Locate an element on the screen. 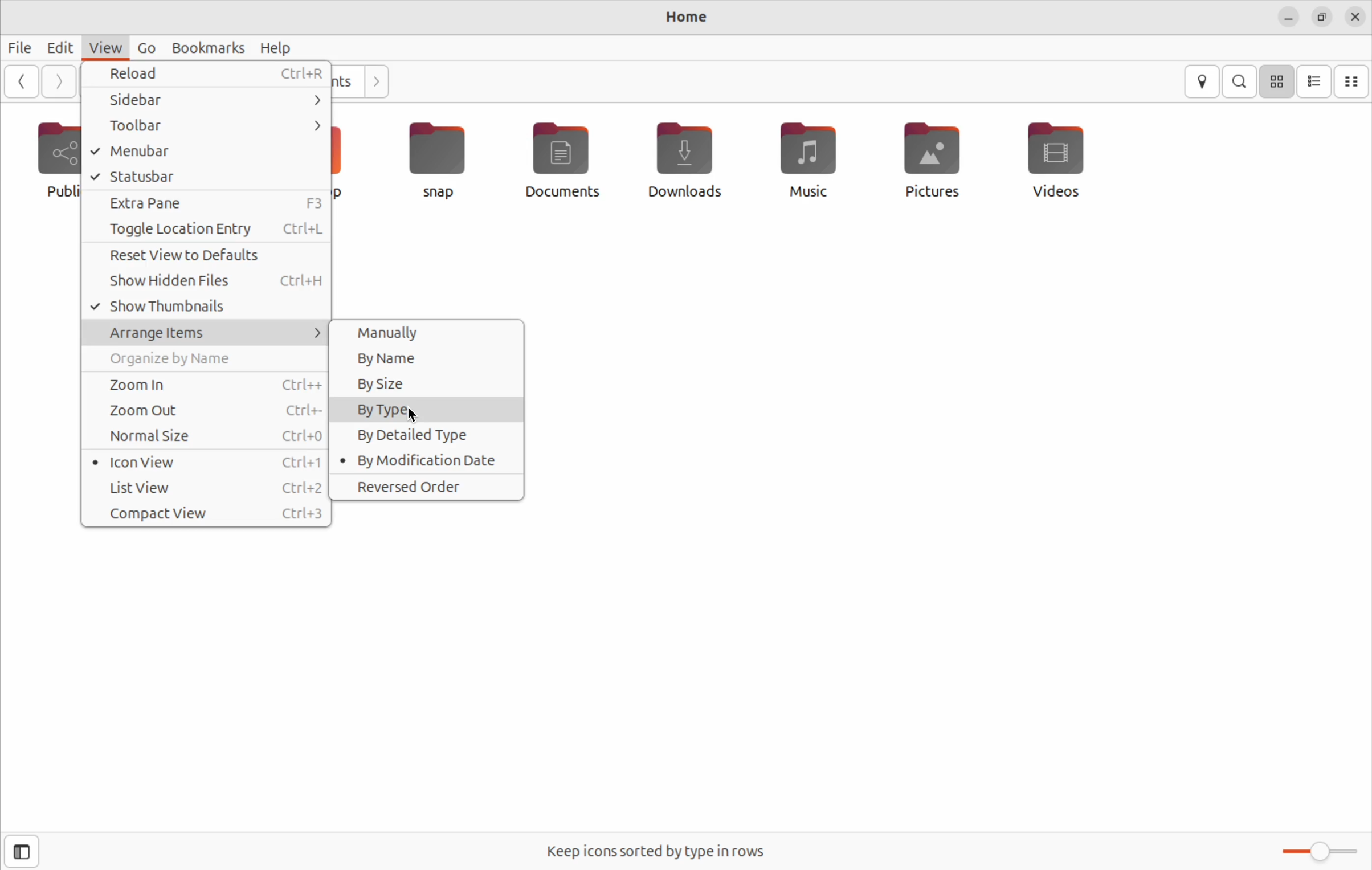 The height and width of the screenshot is (870, 1372). Arrange items is located at coordinates (206, 332).